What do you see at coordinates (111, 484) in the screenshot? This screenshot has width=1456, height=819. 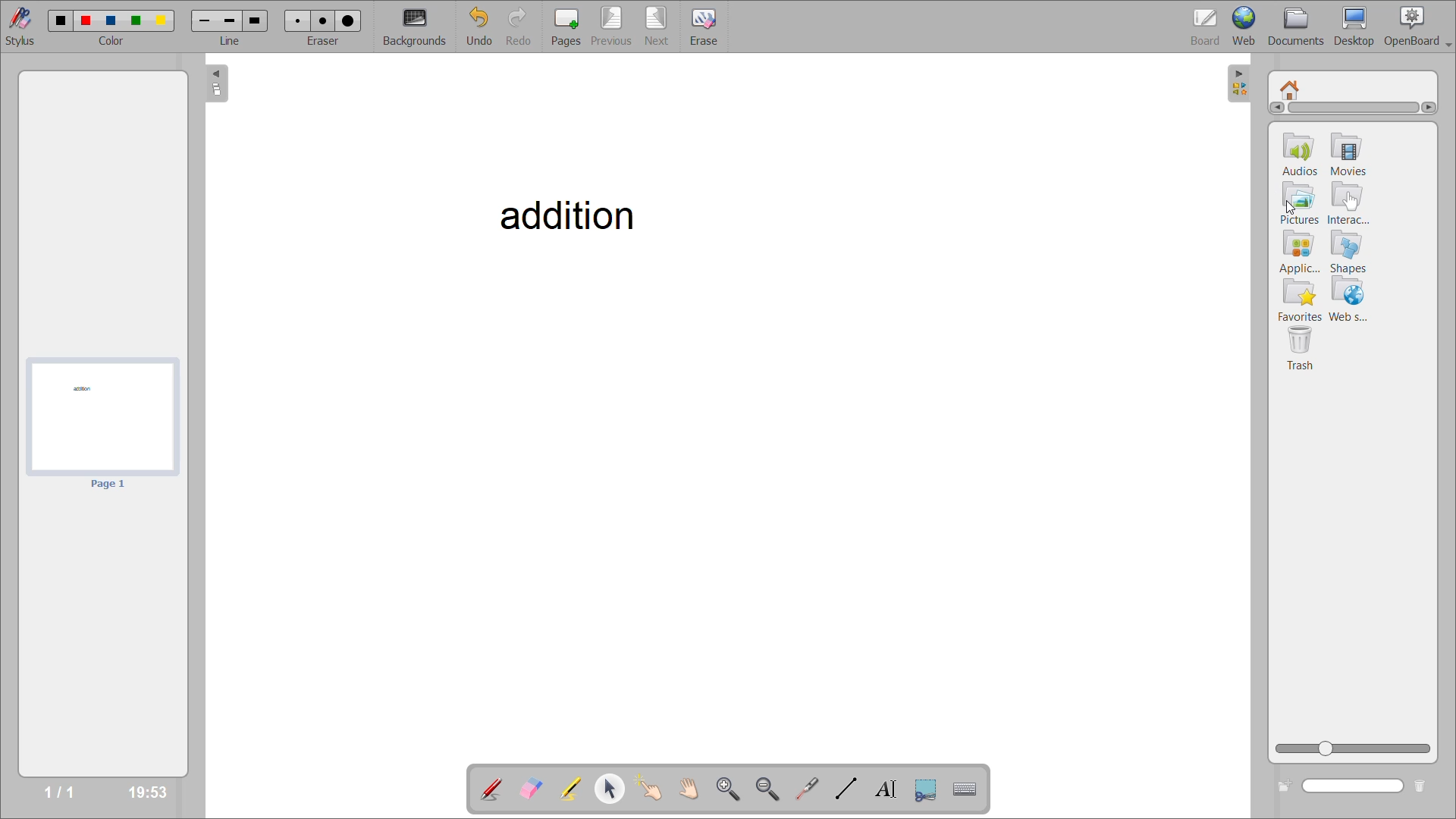 I see `page 1` at bounding box center [111, 484].